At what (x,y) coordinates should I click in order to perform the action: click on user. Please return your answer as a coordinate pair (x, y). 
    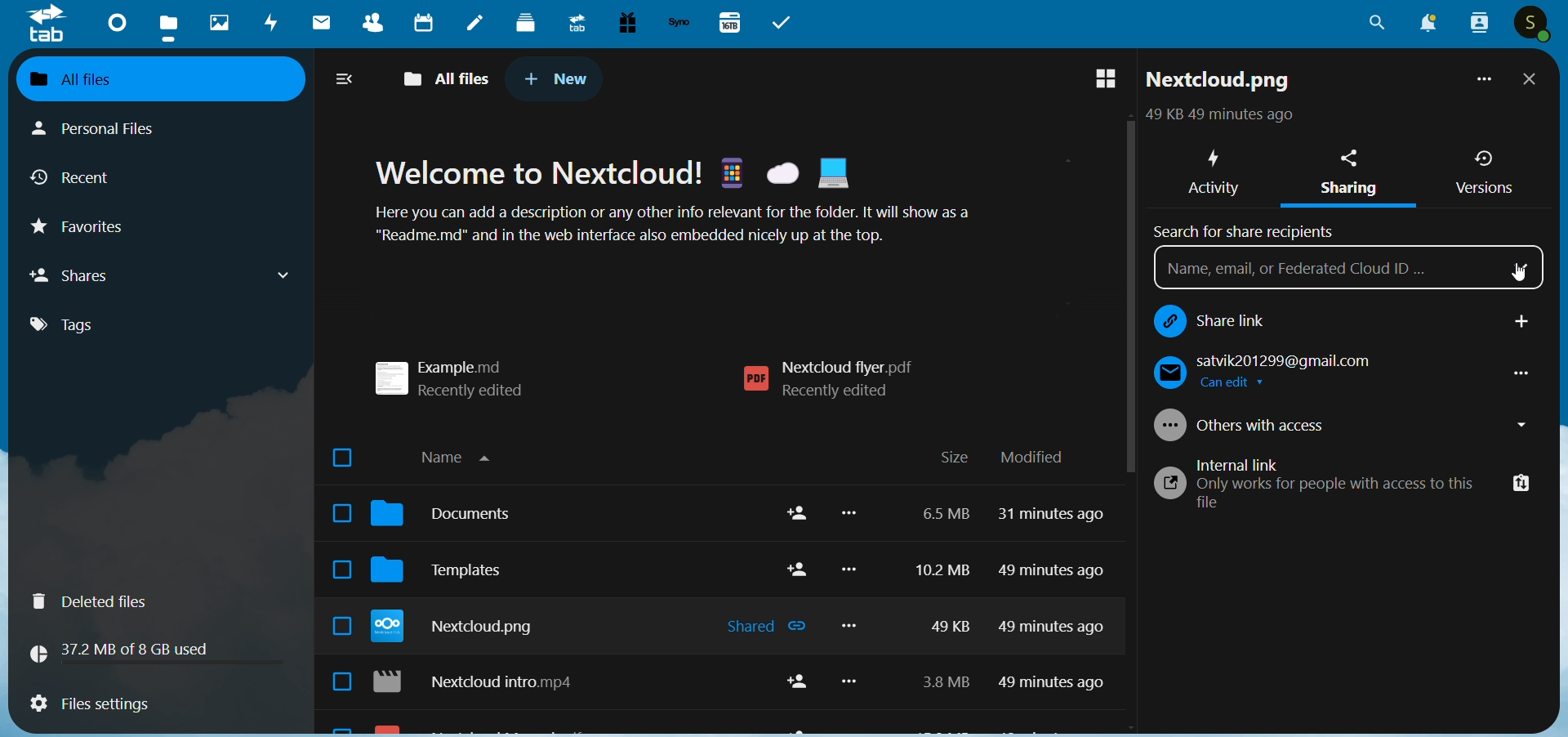
    Looking at the image, I should click on (1534, 25).